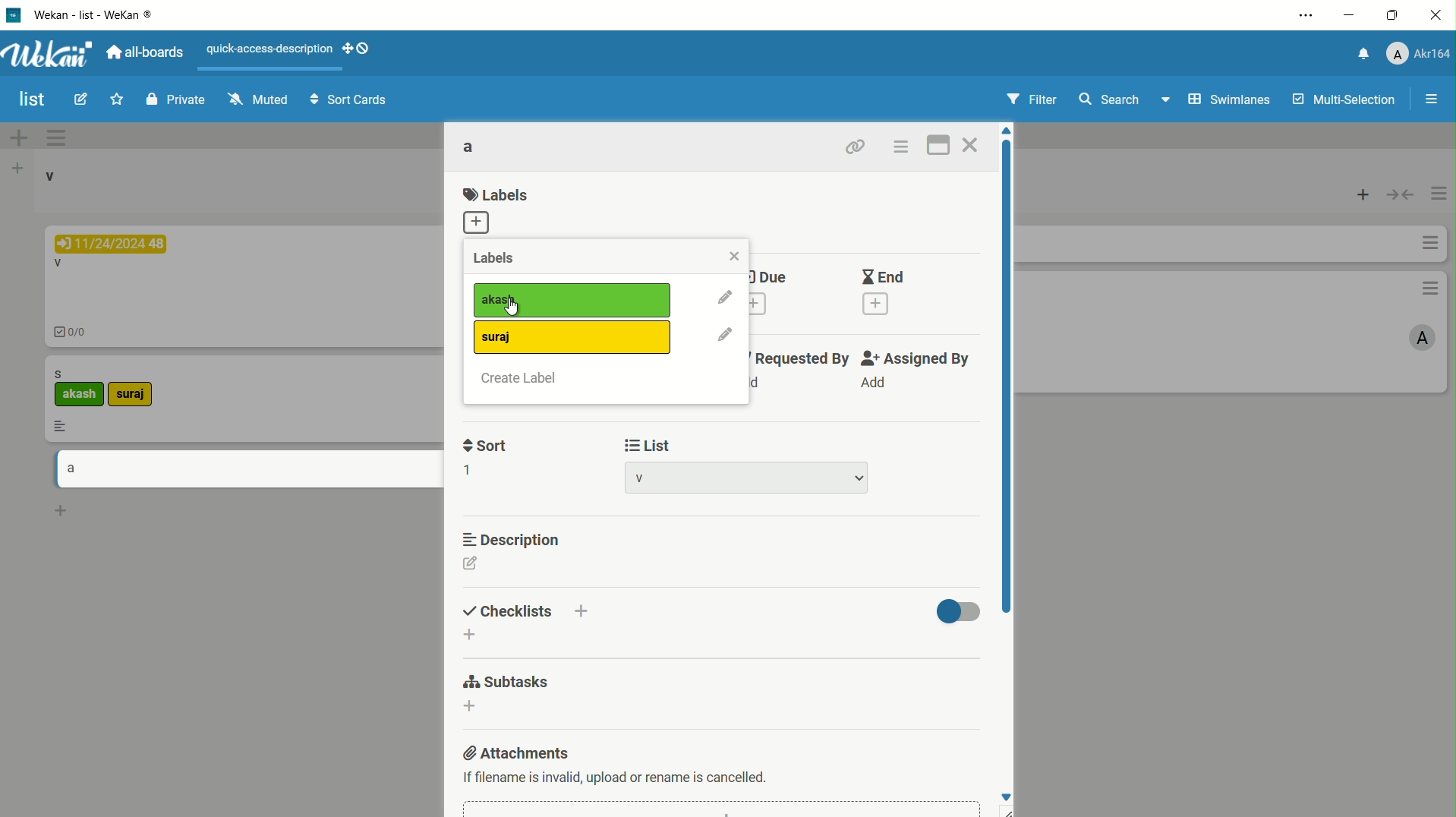 Image resolution: width=1456 pixels, height=817 pixels. What do you see at coordinates (1426, 244) in the screenshot?
I see `options` at bounding box center [1426, 244].